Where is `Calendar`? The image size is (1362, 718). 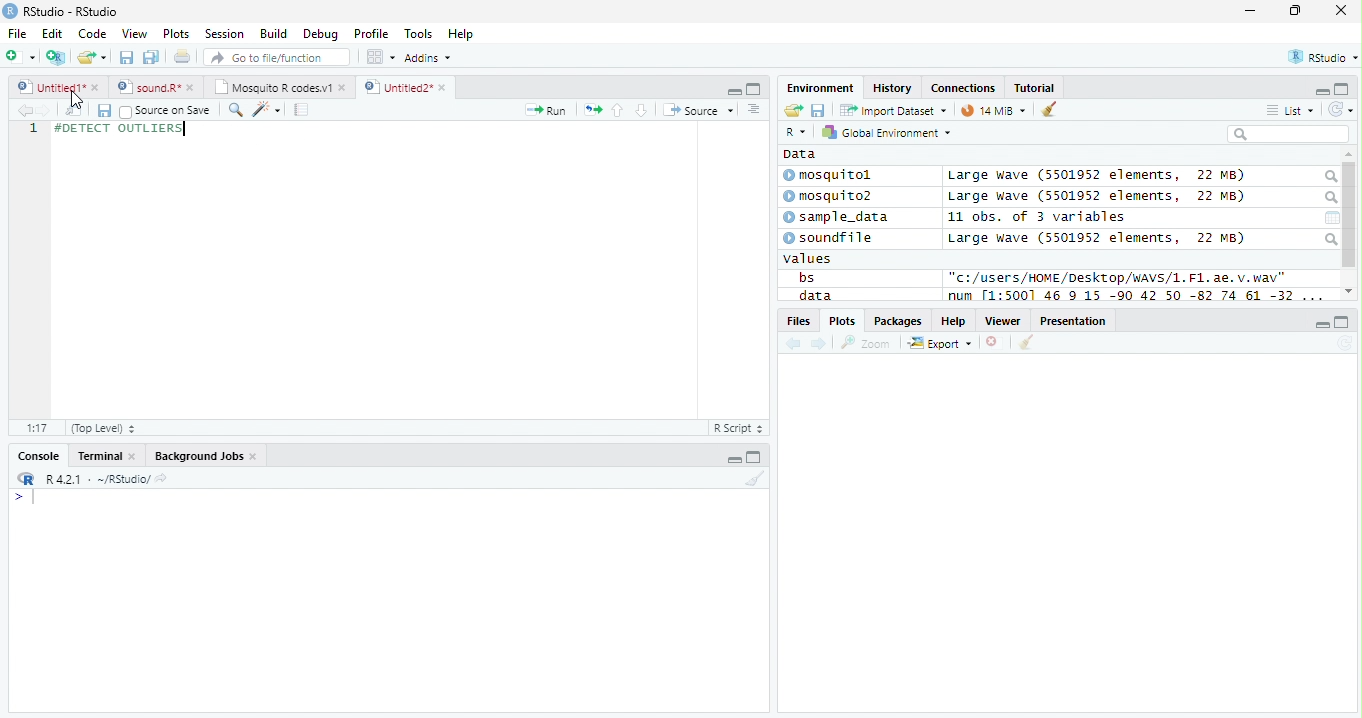 Calendar is located at coordinates (1332, 218).